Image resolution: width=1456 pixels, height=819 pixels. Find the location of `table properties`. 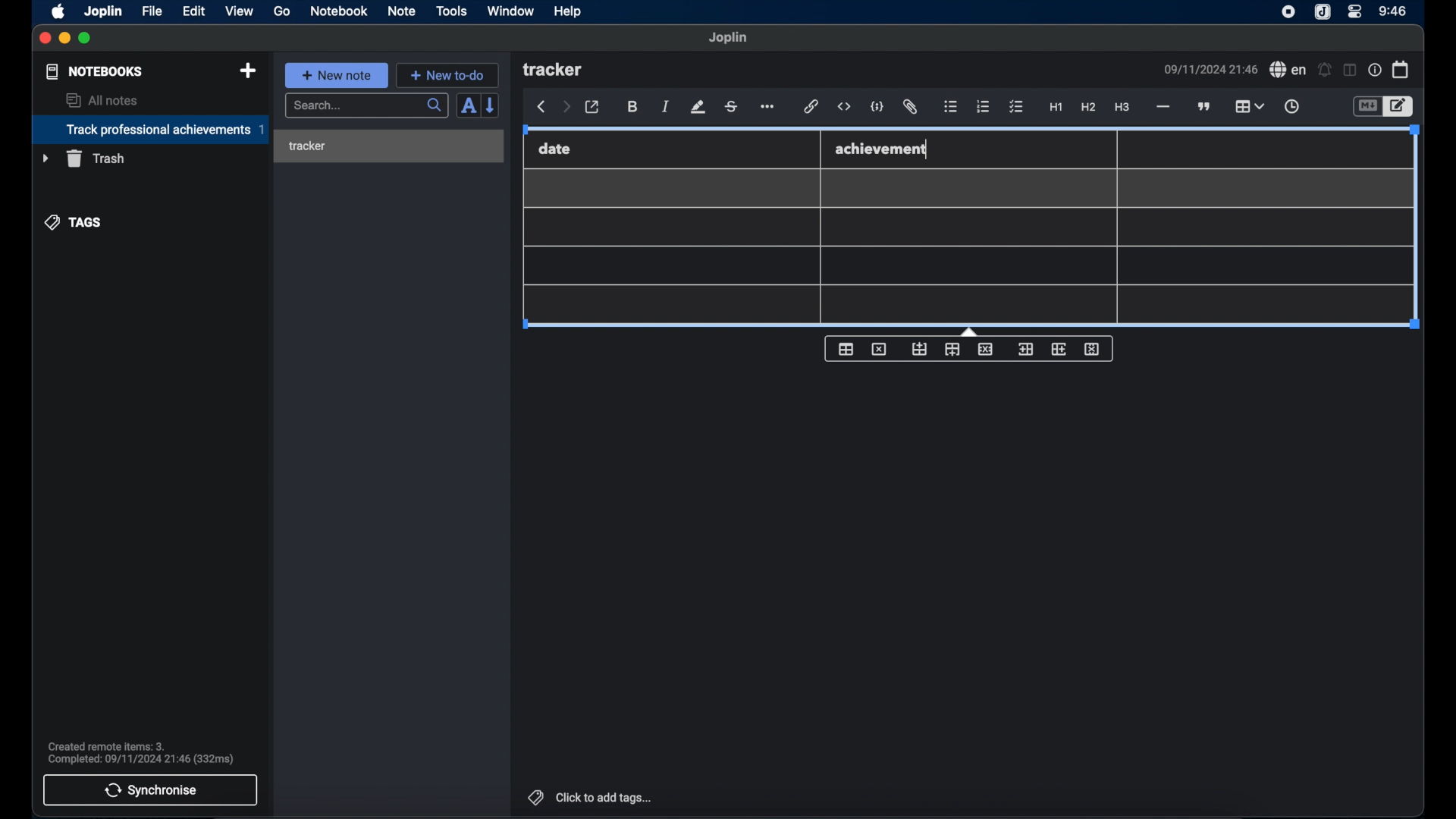

table properties is located at coordinates (846, 350).